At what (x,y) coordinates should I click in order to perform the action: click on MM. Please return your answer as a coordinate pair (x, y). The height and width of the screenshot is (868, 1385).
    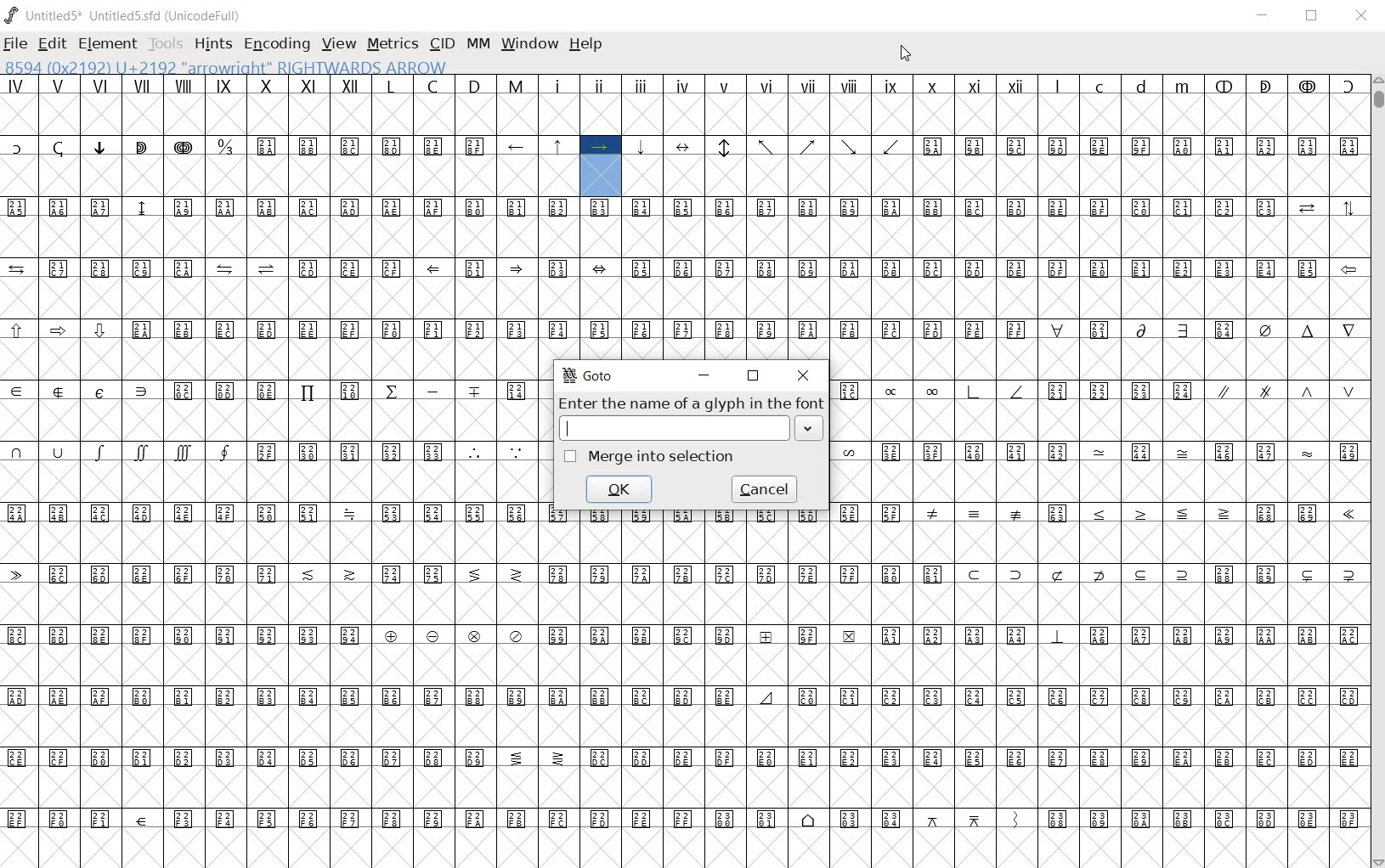
    Looking at the image, I should click on (477, 45).